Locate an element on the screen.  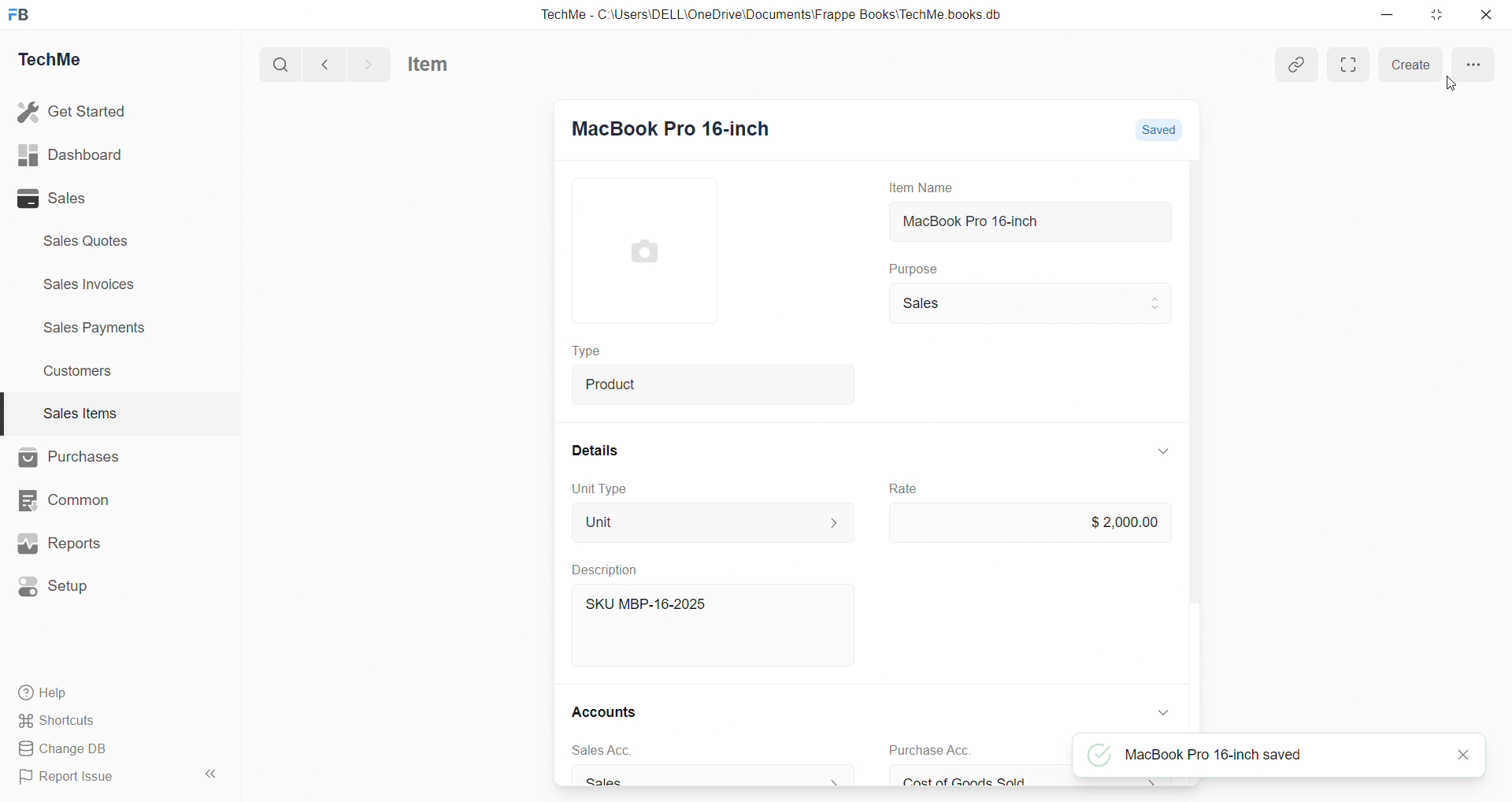
FB is located at coordinates (22, 14).